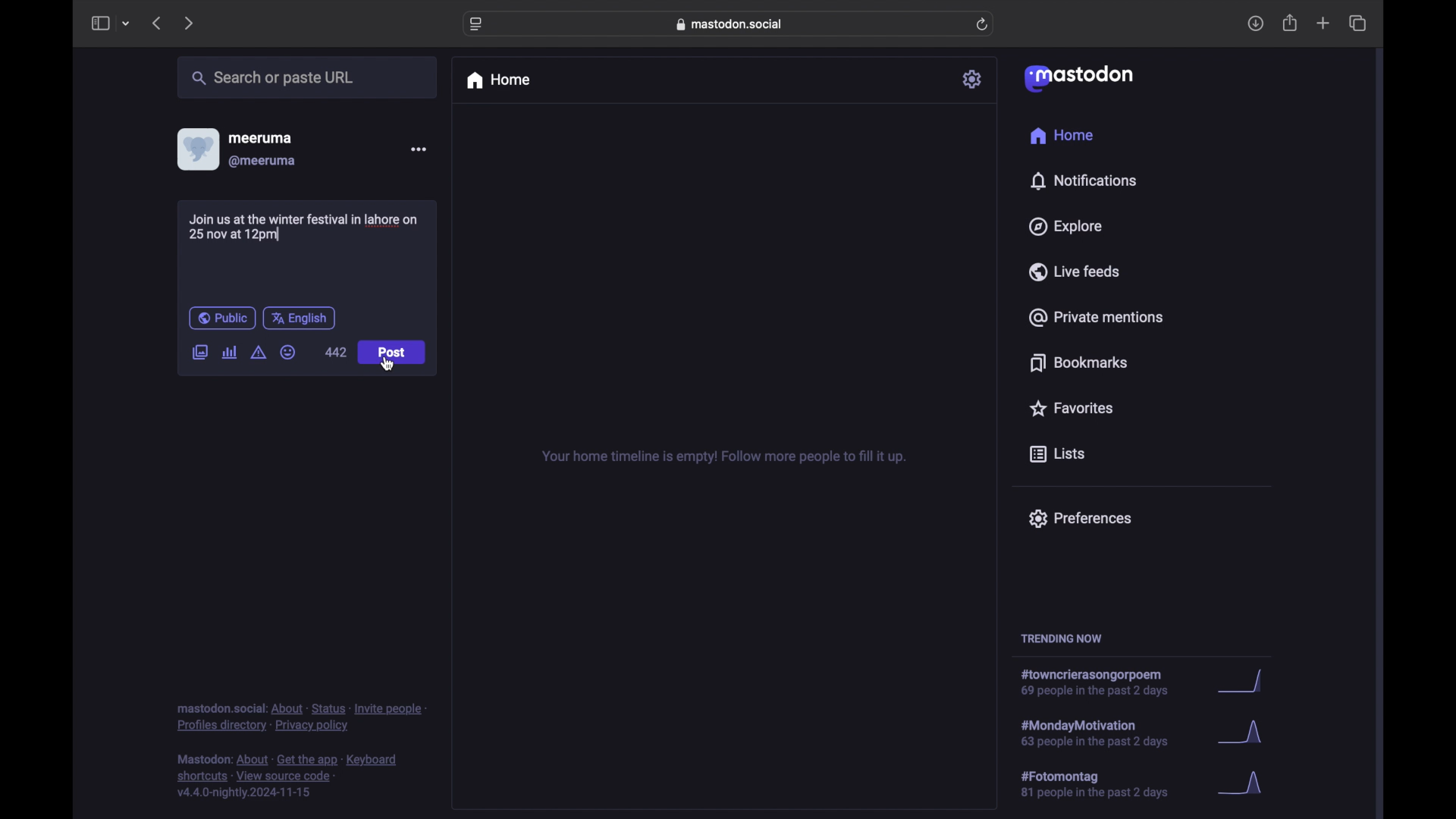 Image resolution: width=1456 pixels, height=819 pixels. Describe the element at coordinates (335, 352) in the screenshot. I see `442` at that location.